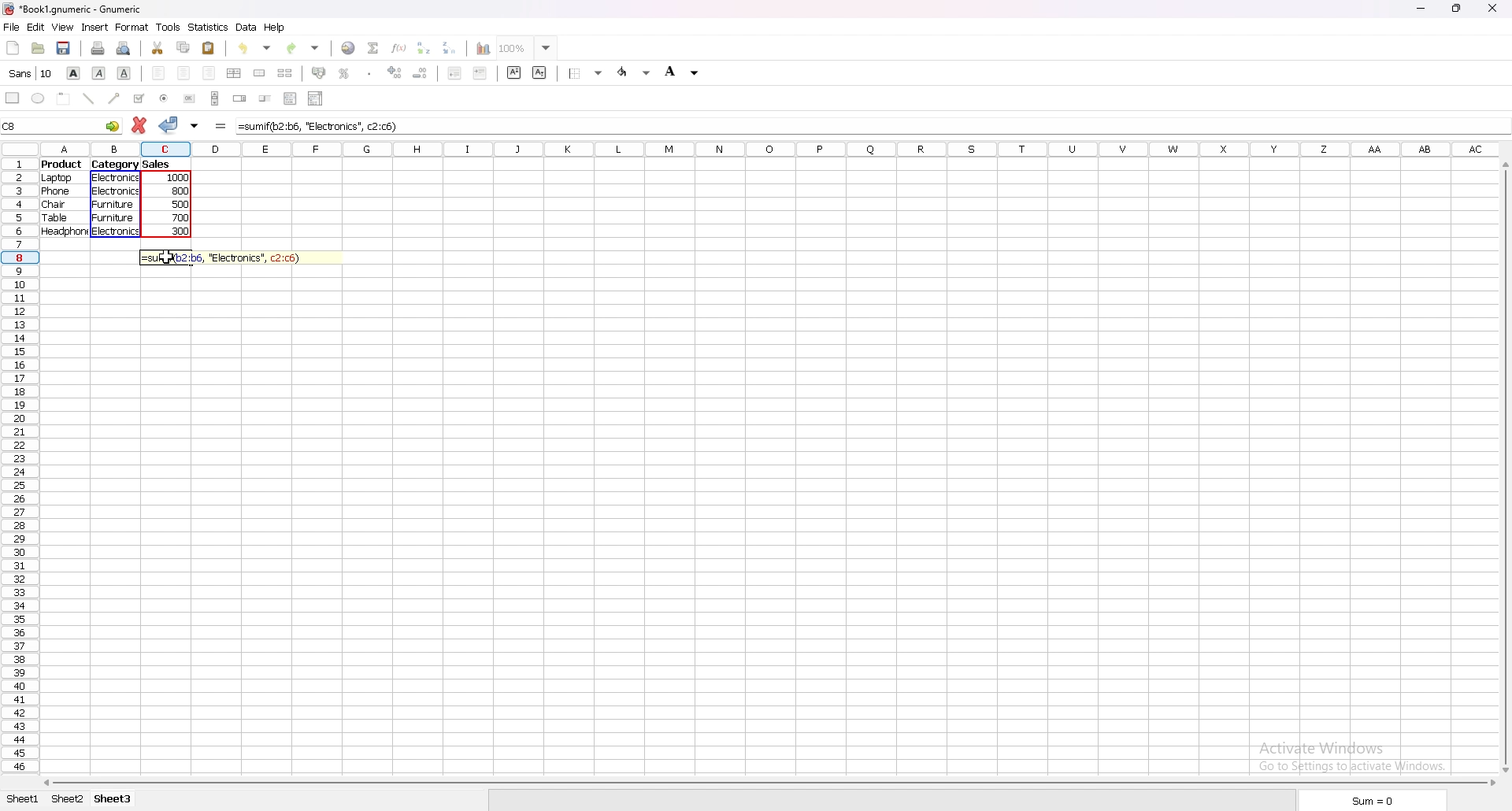 The image size is (1512, 811). I want to click on save, so click(64, 48).